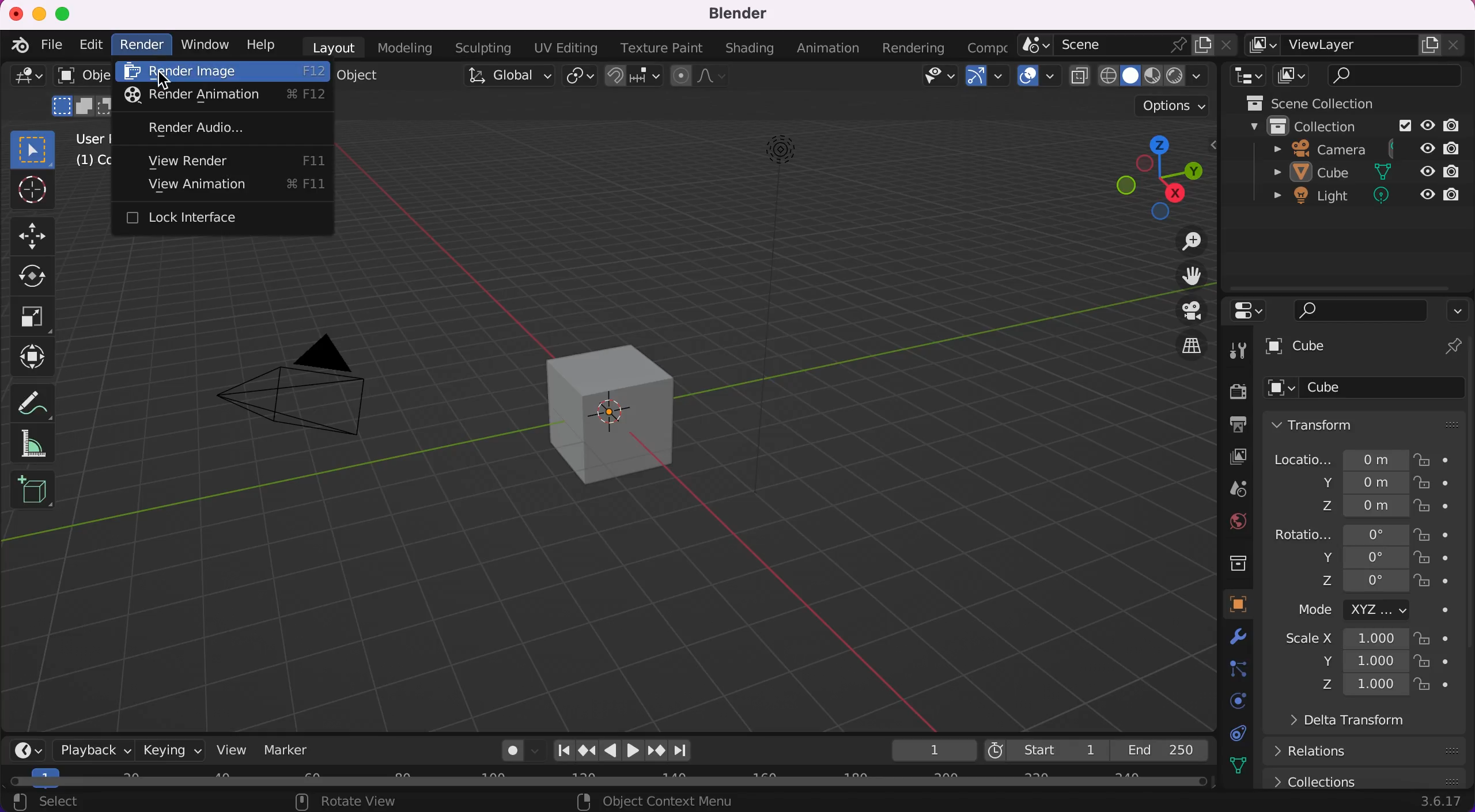 Image resolution: width=1475 pixels, height=812 pixels. Describe the element at coordinates (1361, 312) in the screenshot. I see `search` at that location.